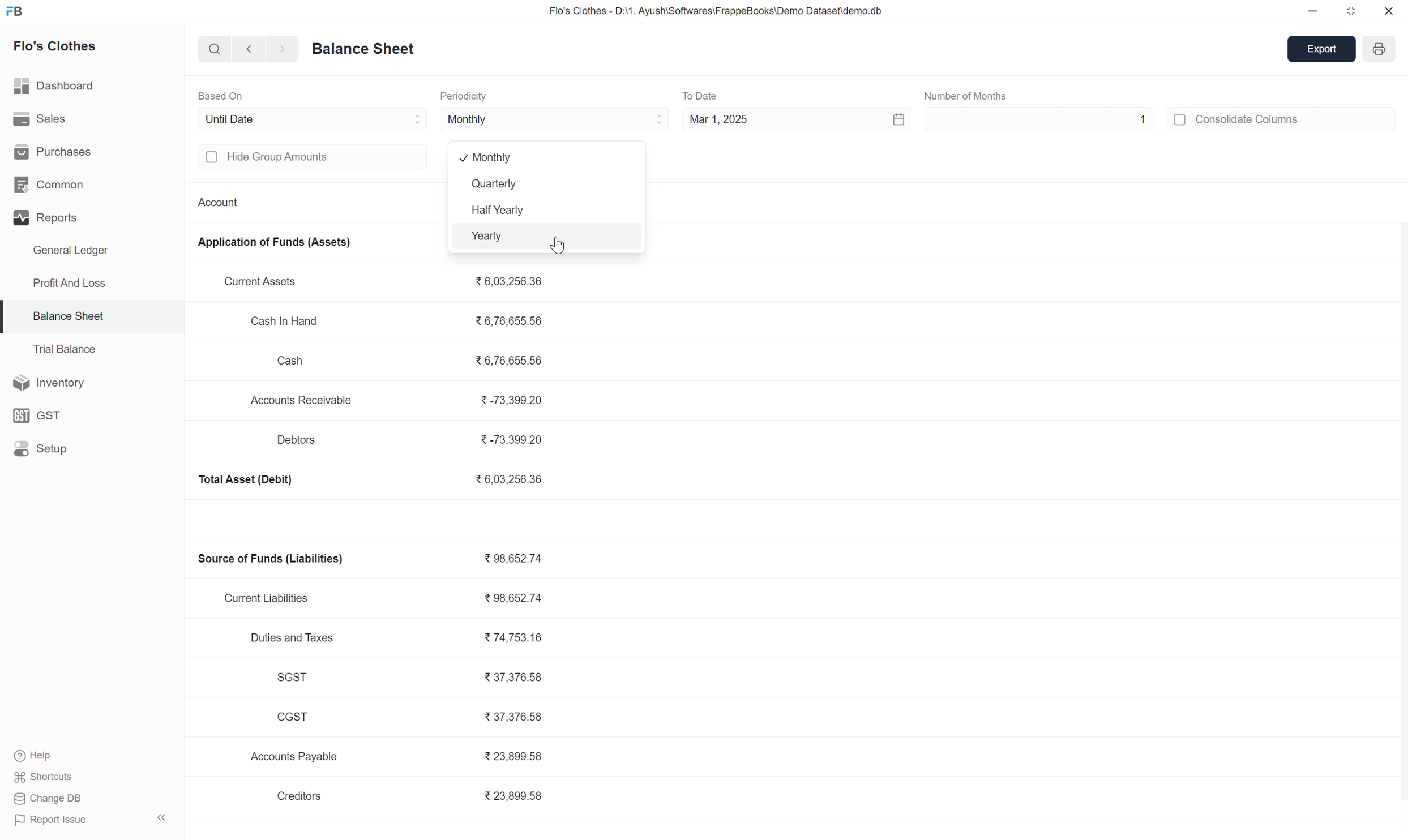  Describe the element at coordinates (795, 121) in the screenshot. I see `Mar 1, 2025 ` at that location.